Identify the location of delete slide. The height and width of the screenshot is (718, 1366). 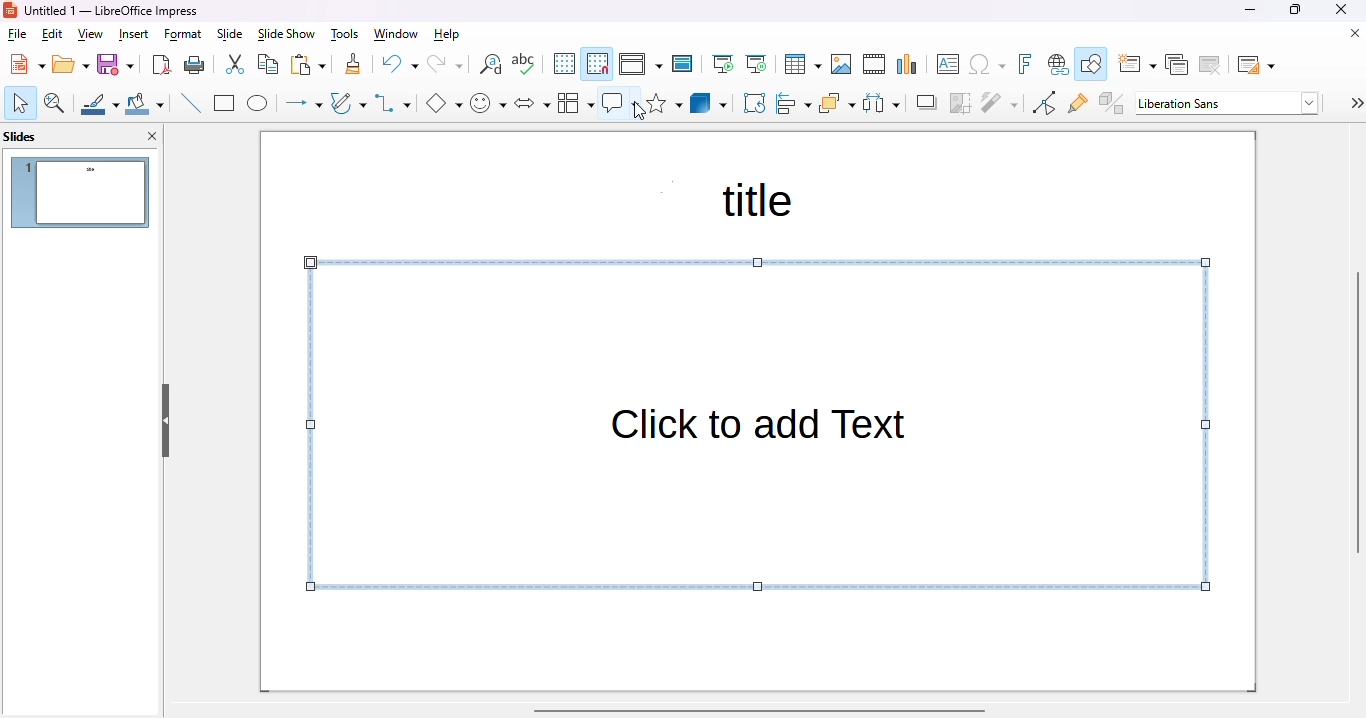
(1210, 65).